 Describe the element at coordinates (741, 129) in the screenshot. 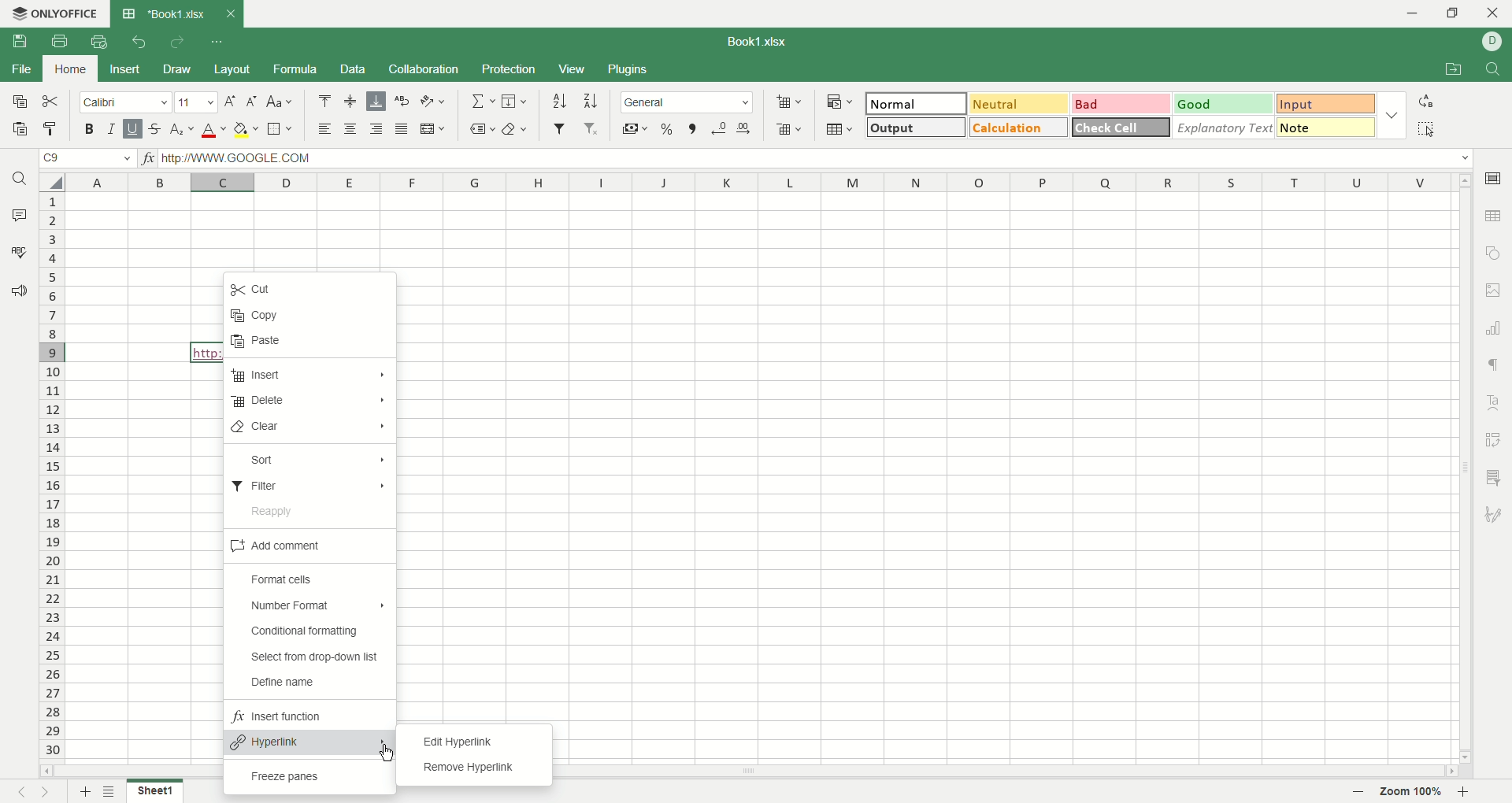

I see `increase decimal` at that location.